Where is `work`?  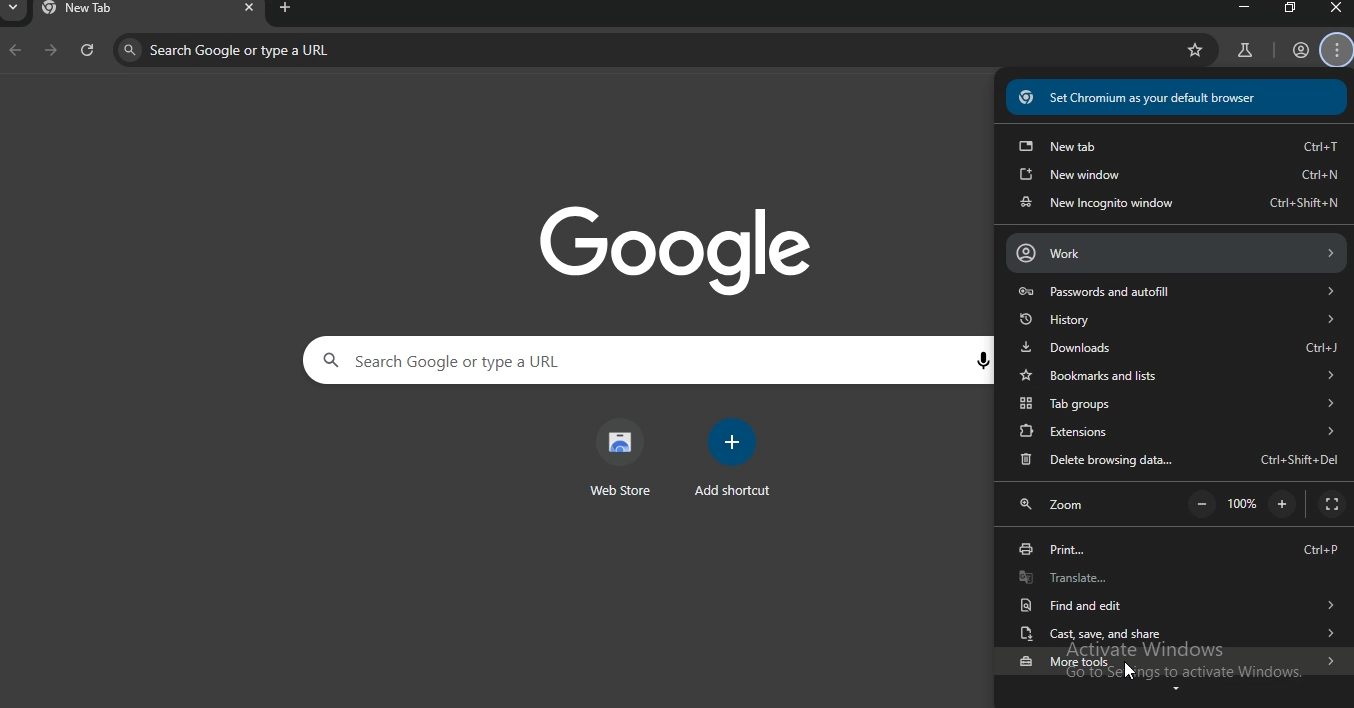 work is located at coordinates (1175, 252).